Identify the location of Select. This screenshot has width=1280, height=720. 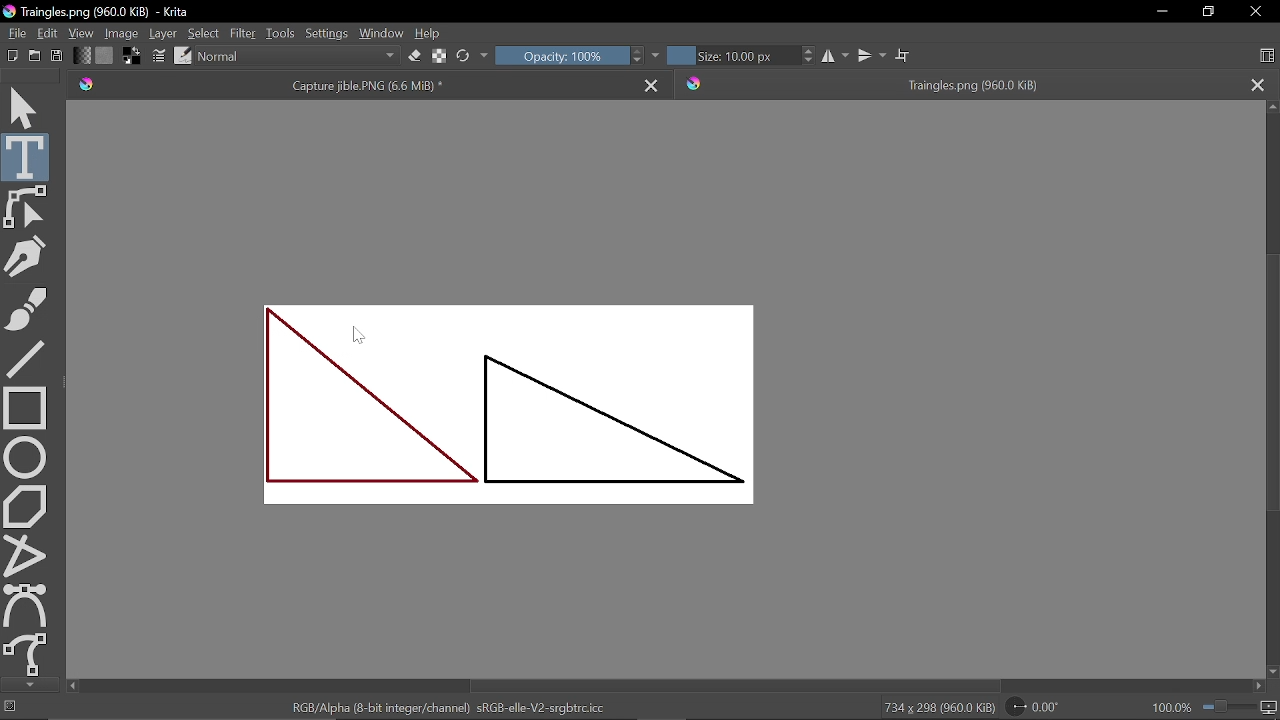
(204, 32).